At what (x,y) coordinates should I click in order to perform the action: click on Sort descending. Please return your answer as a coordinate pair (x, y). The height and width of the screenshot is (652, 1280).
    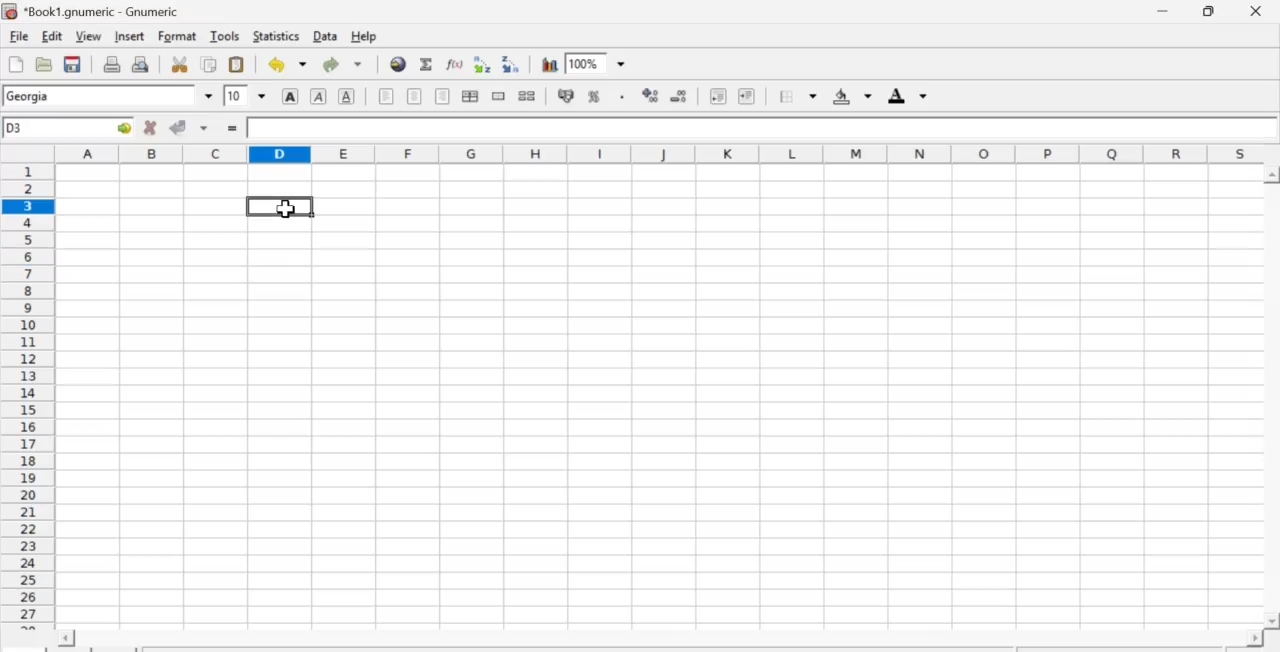
    Looking at the image, I should click on (512, 66).